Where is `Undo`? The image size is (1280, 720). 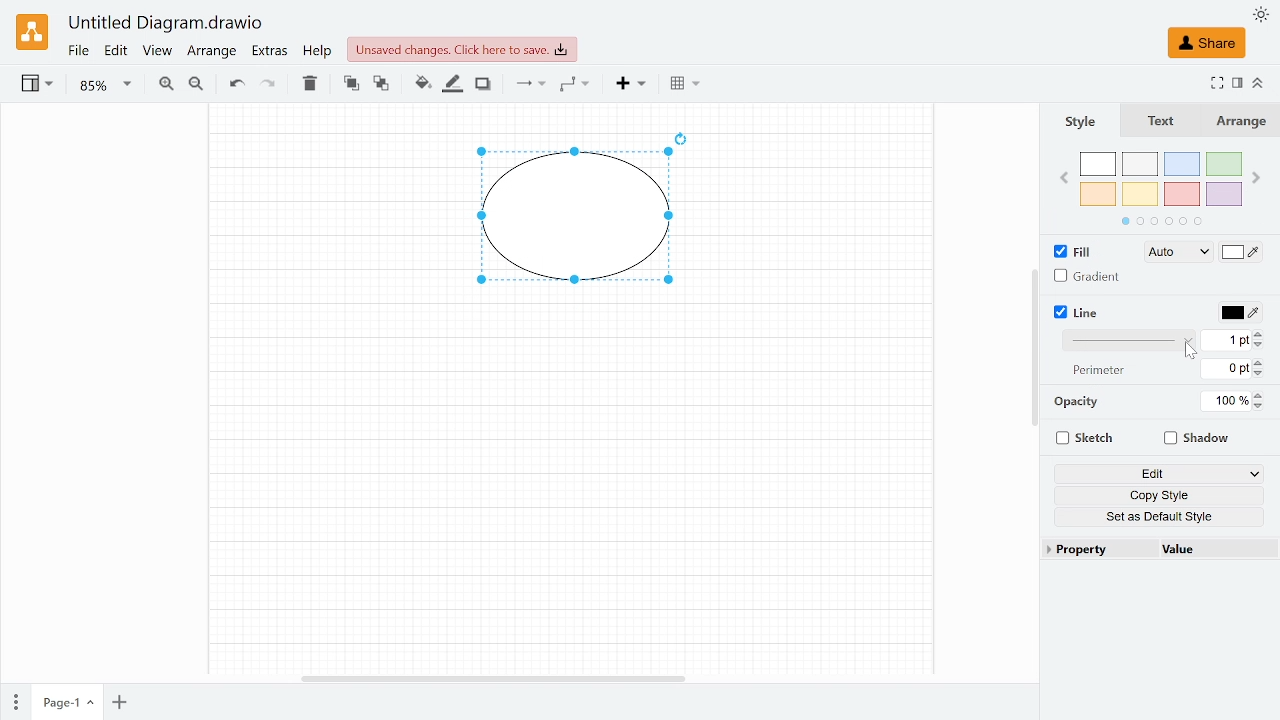 Undo is located at coordinates (237, 85).